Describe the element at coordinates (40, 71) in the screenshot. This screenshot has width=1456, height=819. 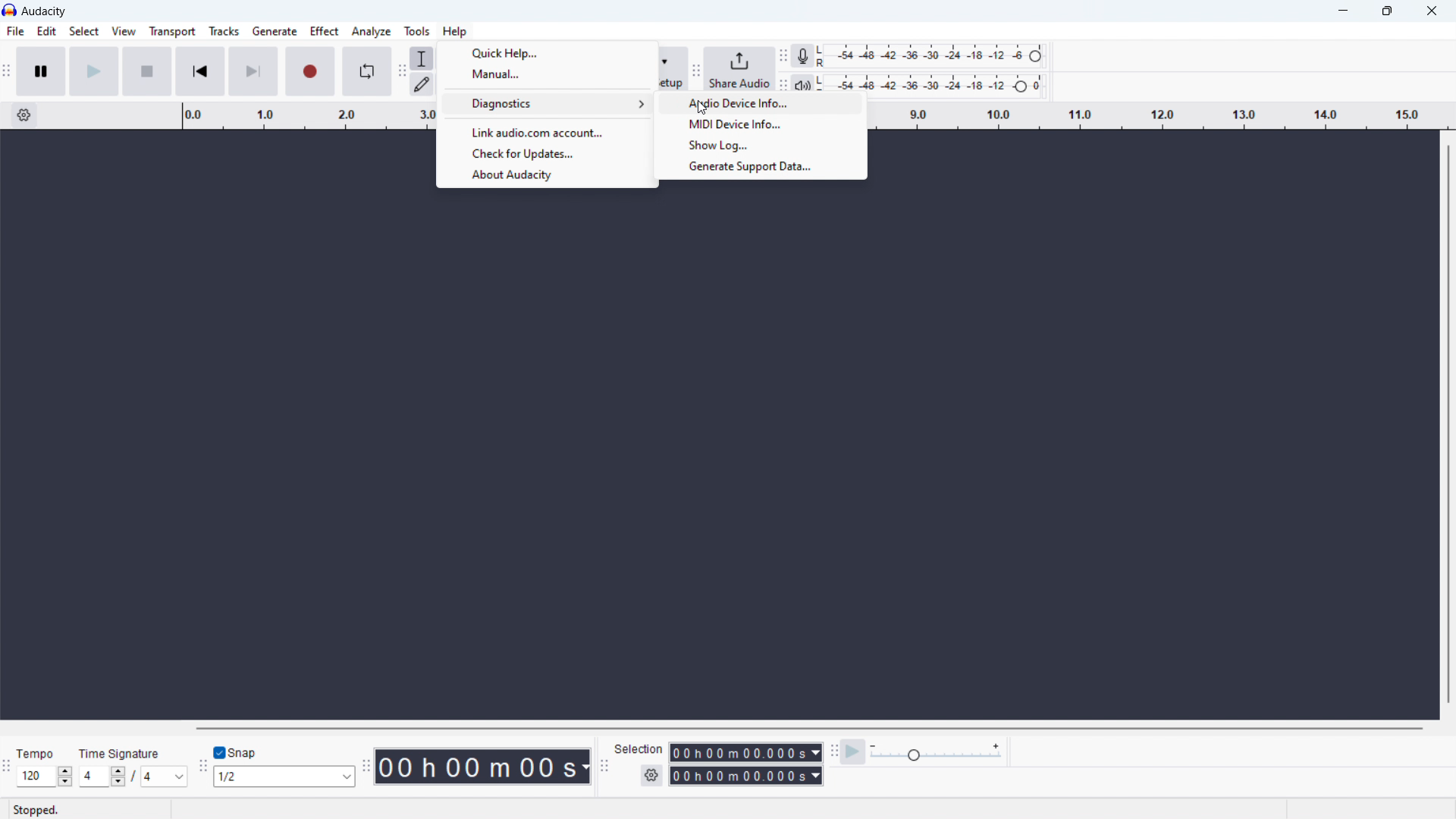
I see `pause` at that location.